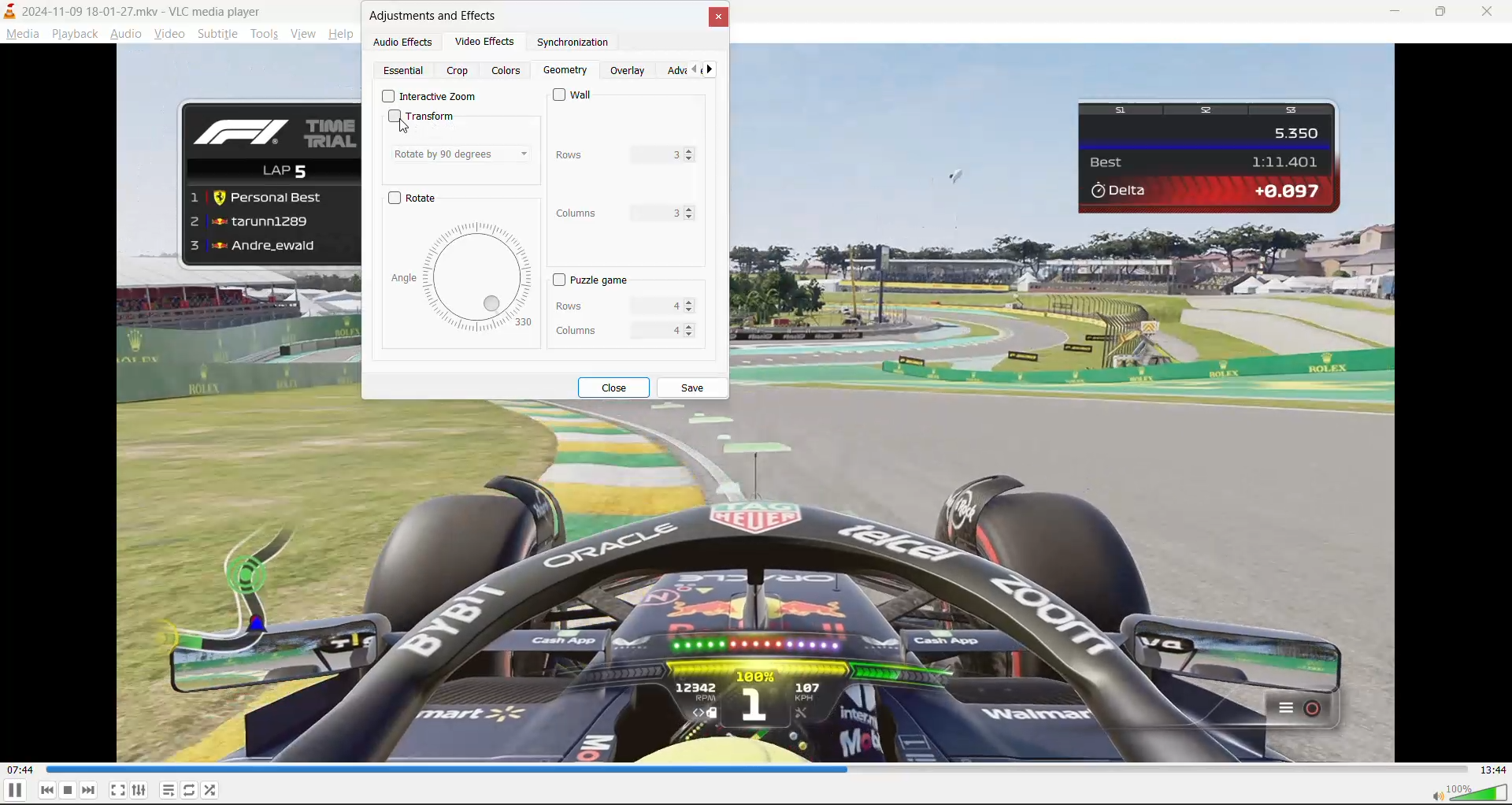 Image resolution: width=1512 pixels, height=805 pixels. What do you see at coordinates (1444, 14) in the screenshot?
I see `maximize` at bounding box center [1444, 14].